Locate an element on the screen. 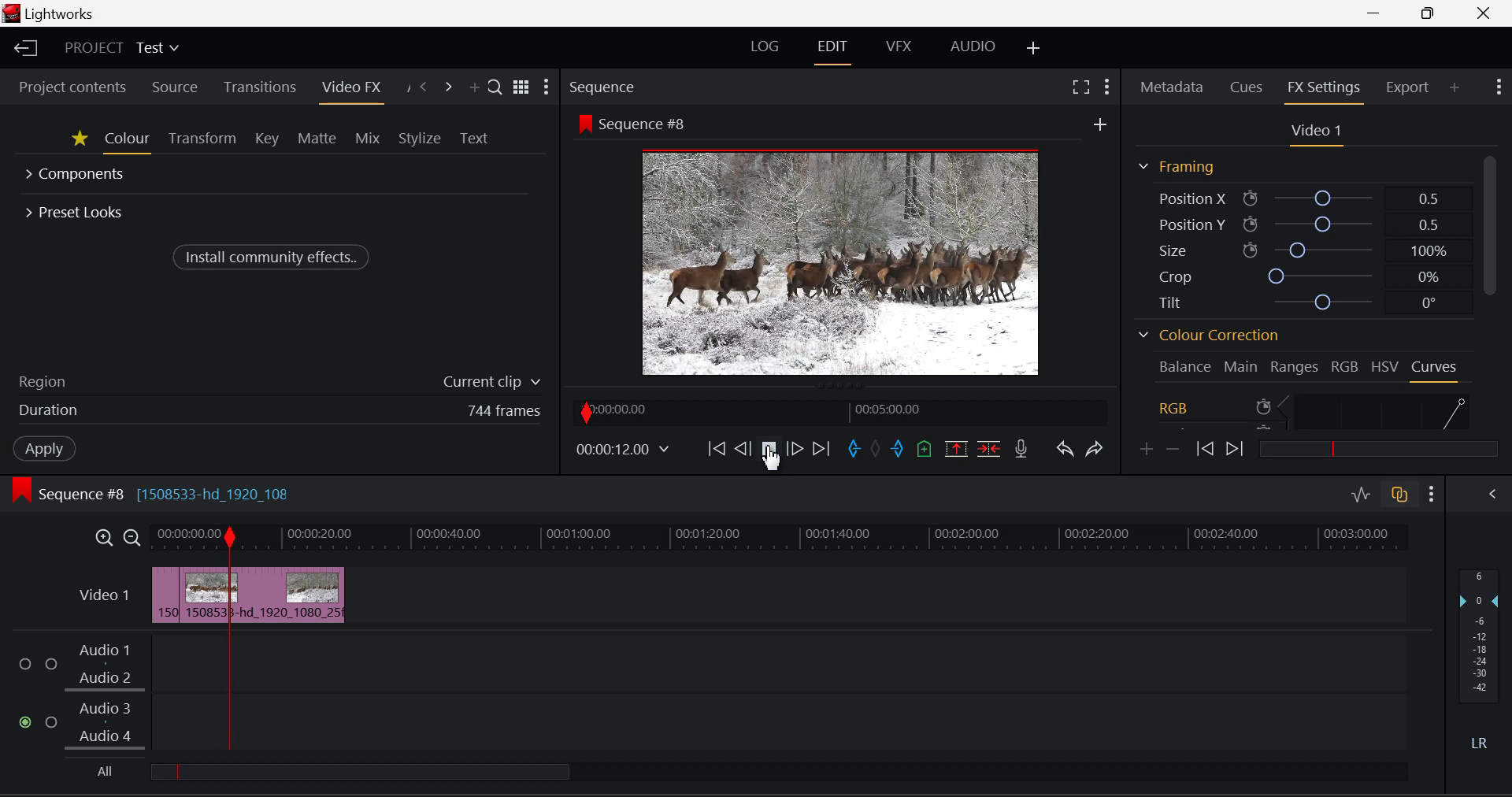 The height and width of the screenshot is (797, 1512). Show Settings is located at coordinates (548, 87).